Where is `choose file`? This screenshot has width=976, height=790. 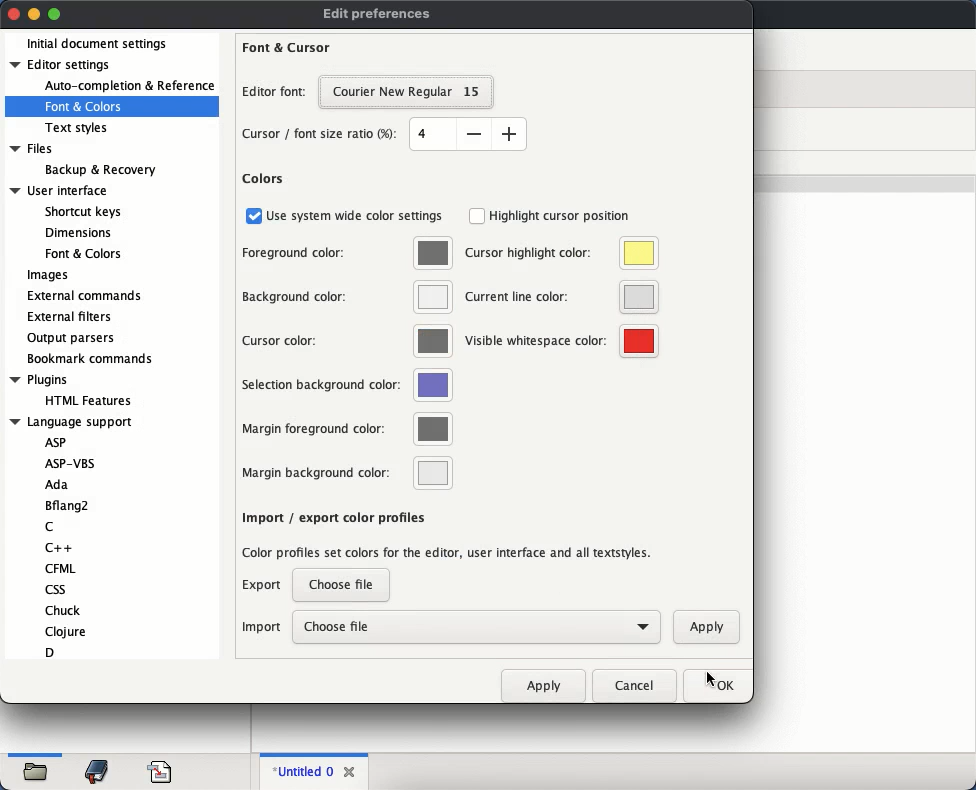 choose file is located at coordinates (341, 586).